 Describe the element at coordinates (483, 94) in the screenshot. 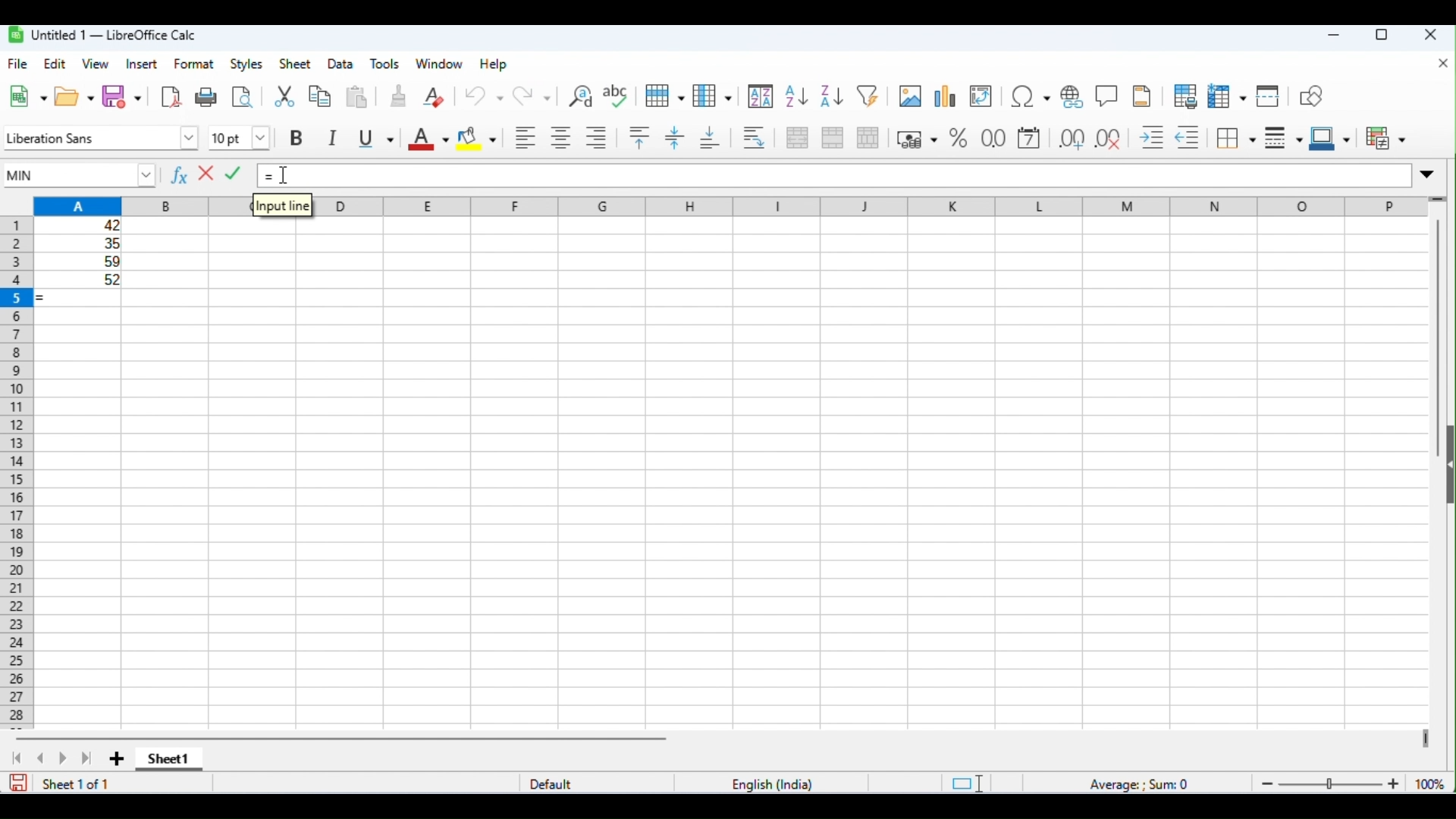

I see `undo` at that location.